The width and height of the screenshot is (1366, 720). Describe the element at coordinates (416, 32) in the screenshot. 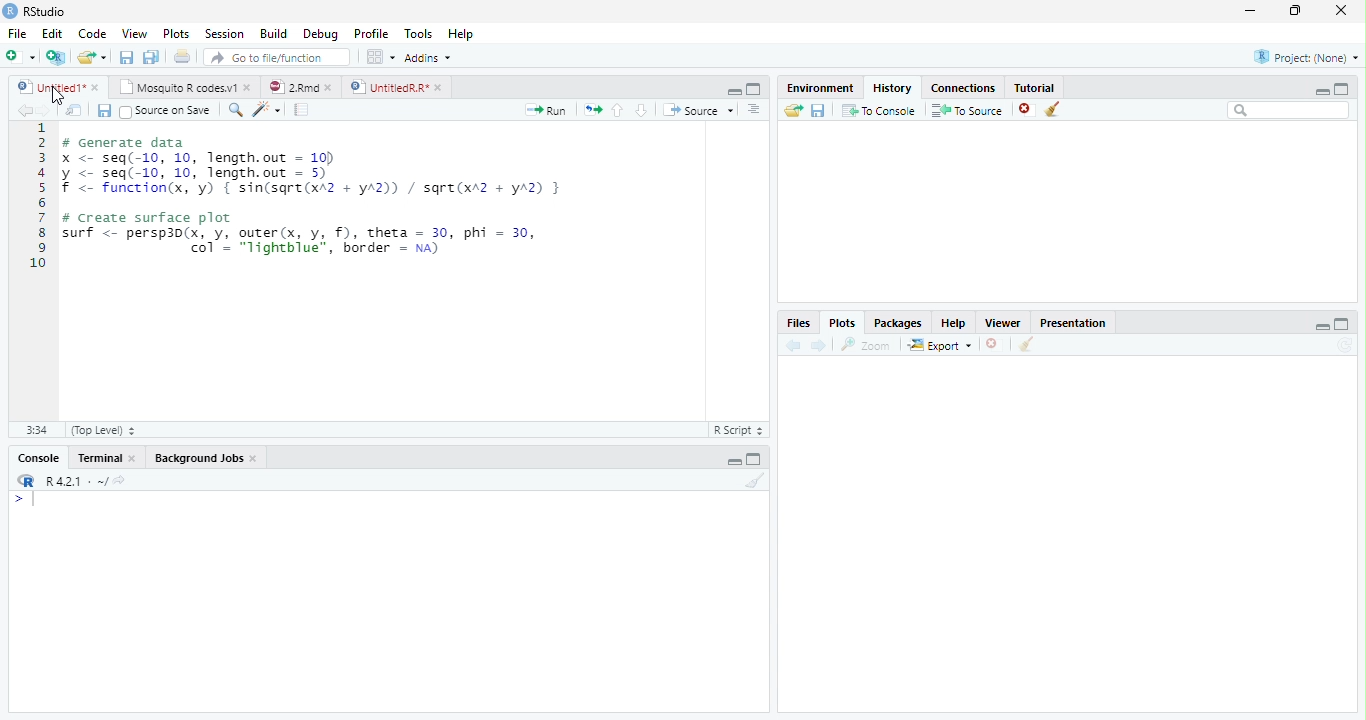

I see `Tools` at that location.